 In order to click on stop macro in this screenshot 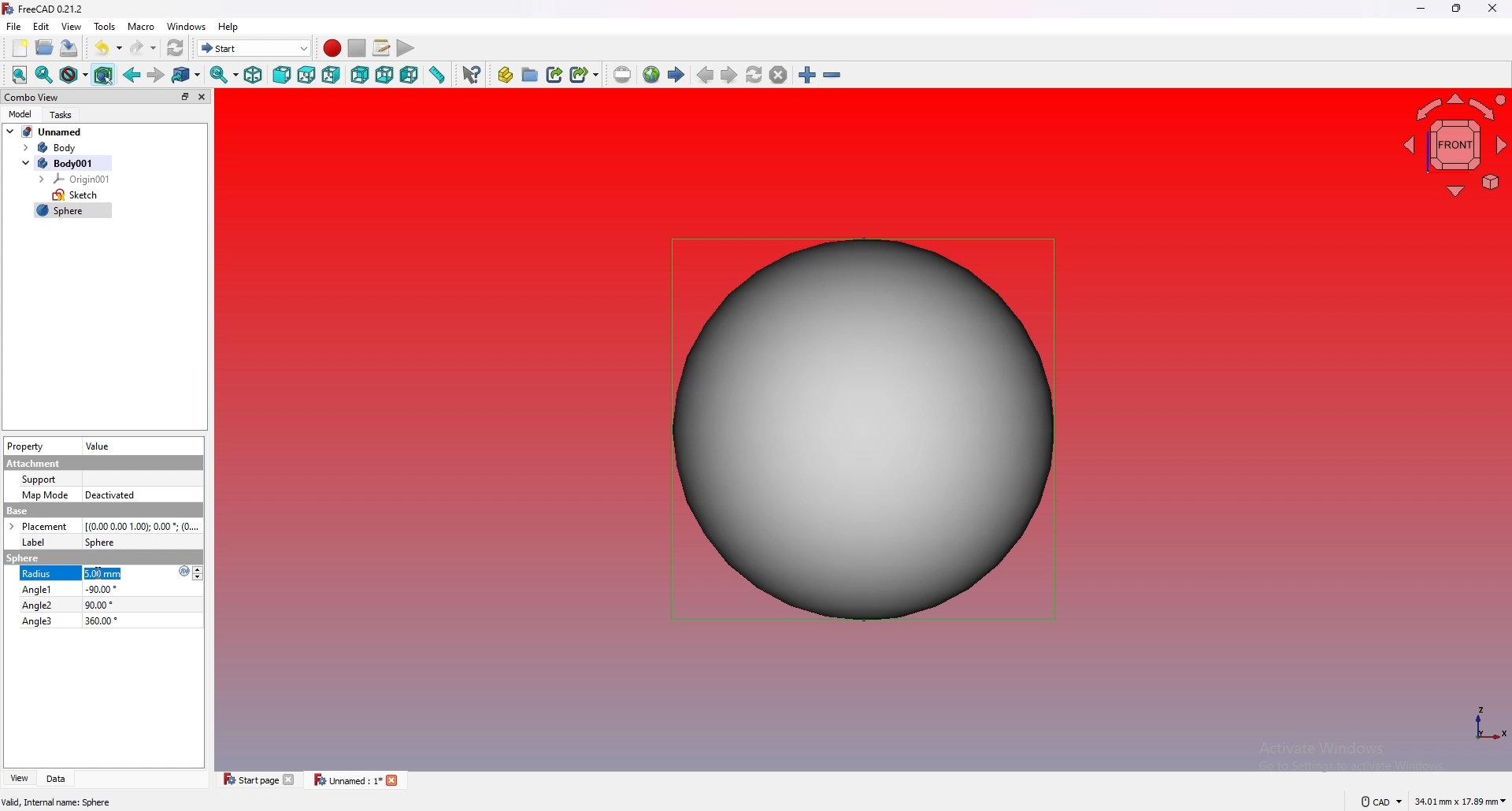, I will do `click(358, 48)`.